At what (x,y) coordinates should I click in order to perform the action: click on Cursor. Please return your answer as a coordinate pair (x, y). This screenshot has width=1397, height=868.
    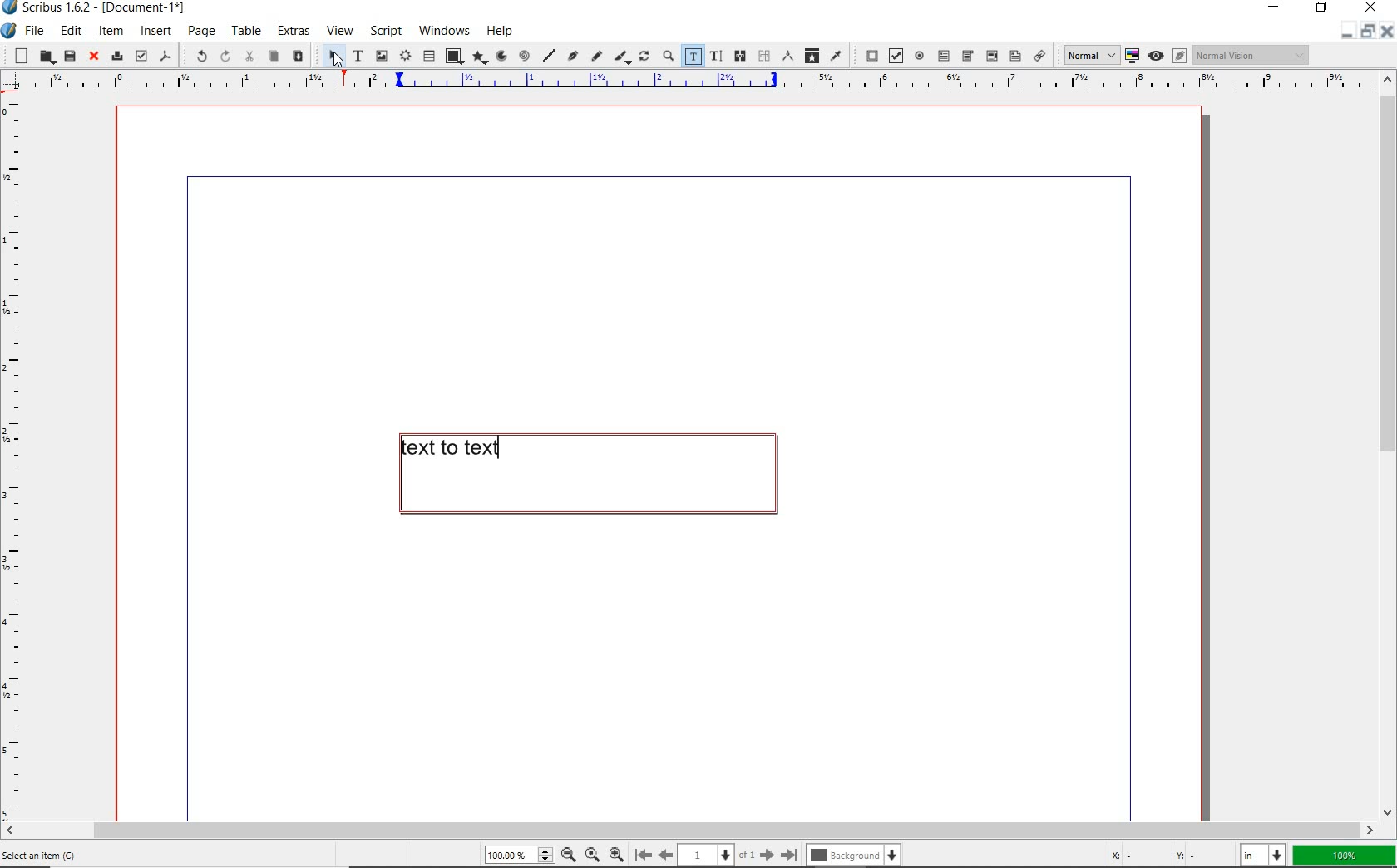
    Looking at the image, I should click on (335, 62).